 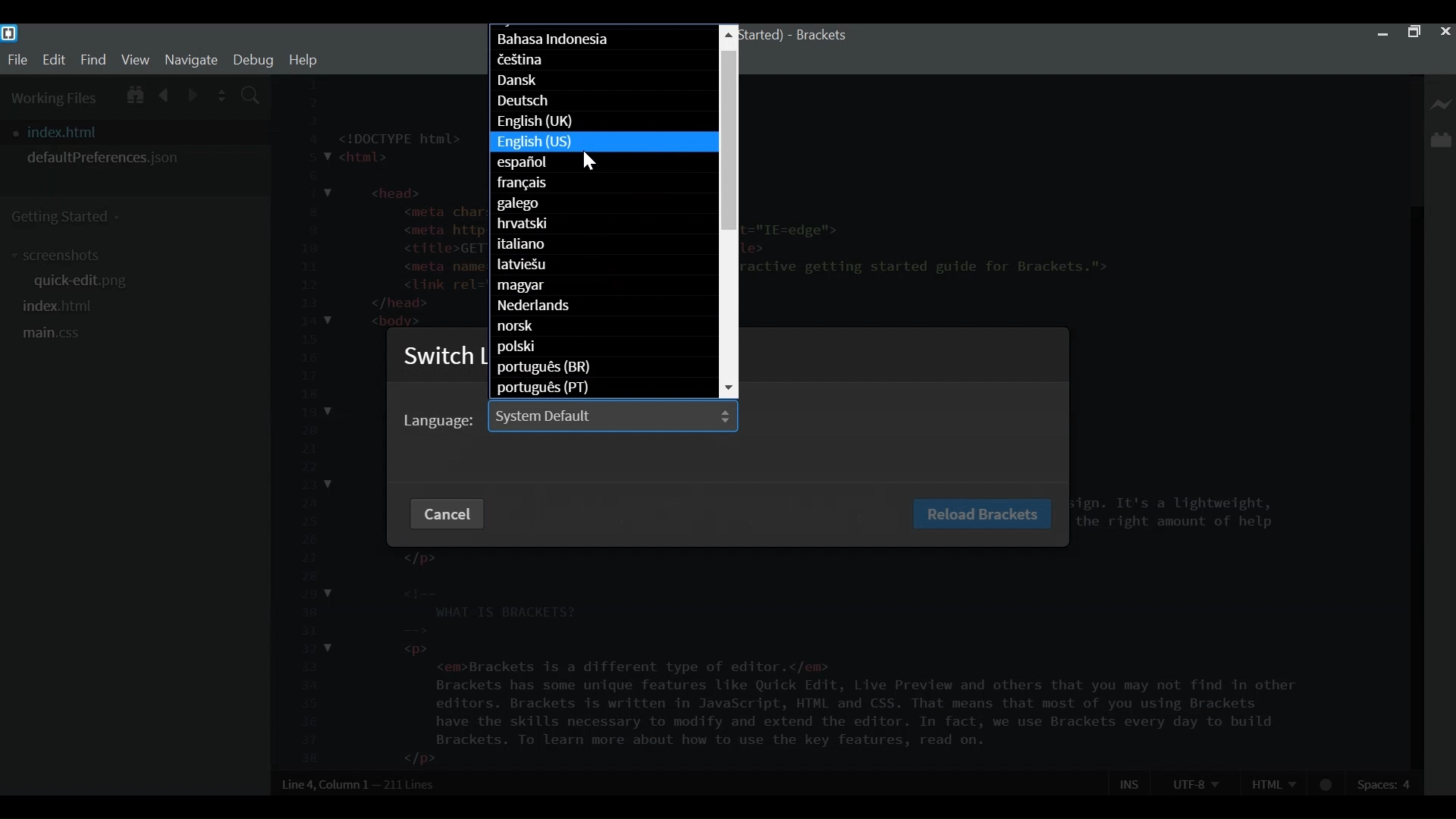 What do you see at coordinates (135, 158) in the screenshot?
I see `defaultPreferences.json` at bounding box center [135, 158].